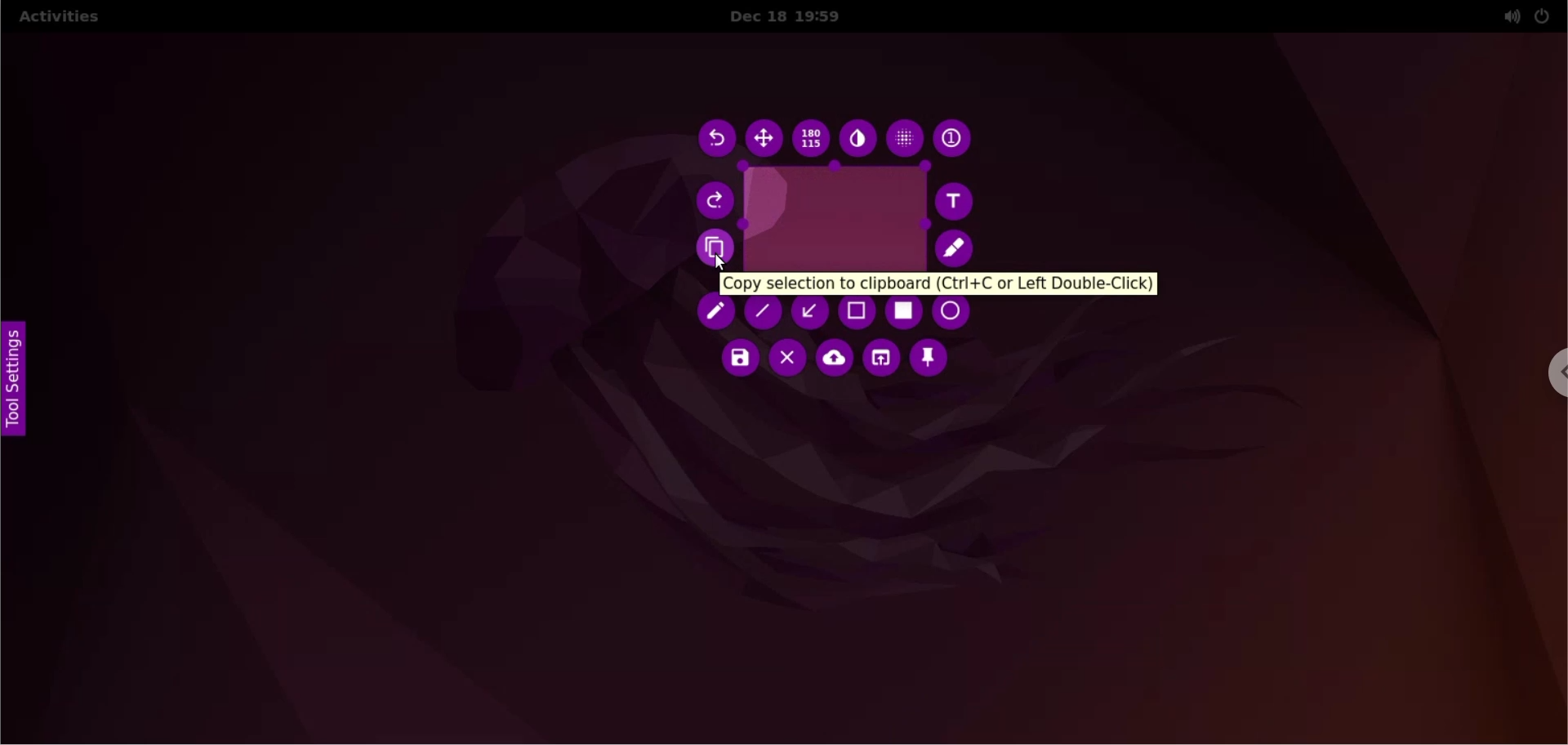 The height and width of the screenshot is (745, 1568). I want to click on choose app to open, so click(881, 361).